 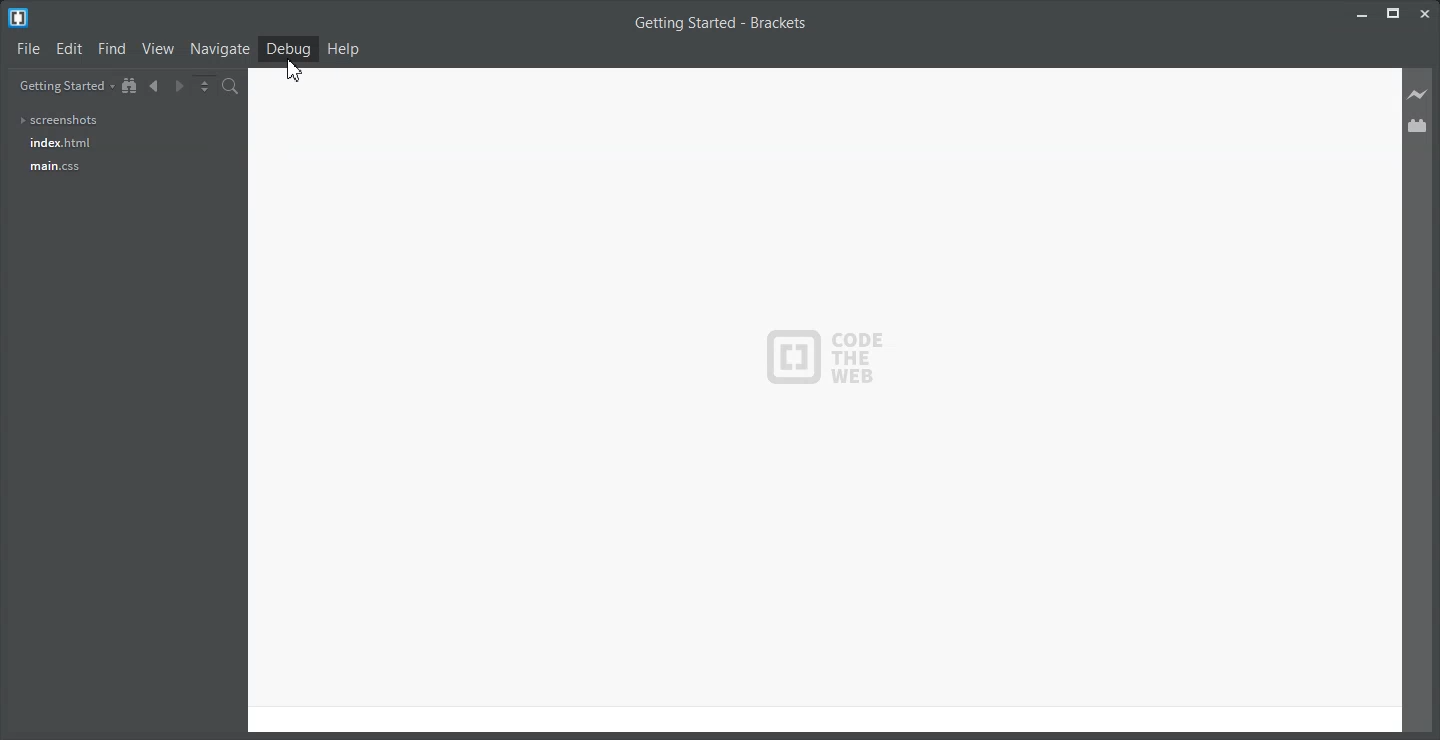 What do you see at coordinates (53, 165) in the screenshot?
I see `main.css` at bounding box center [53, 165].